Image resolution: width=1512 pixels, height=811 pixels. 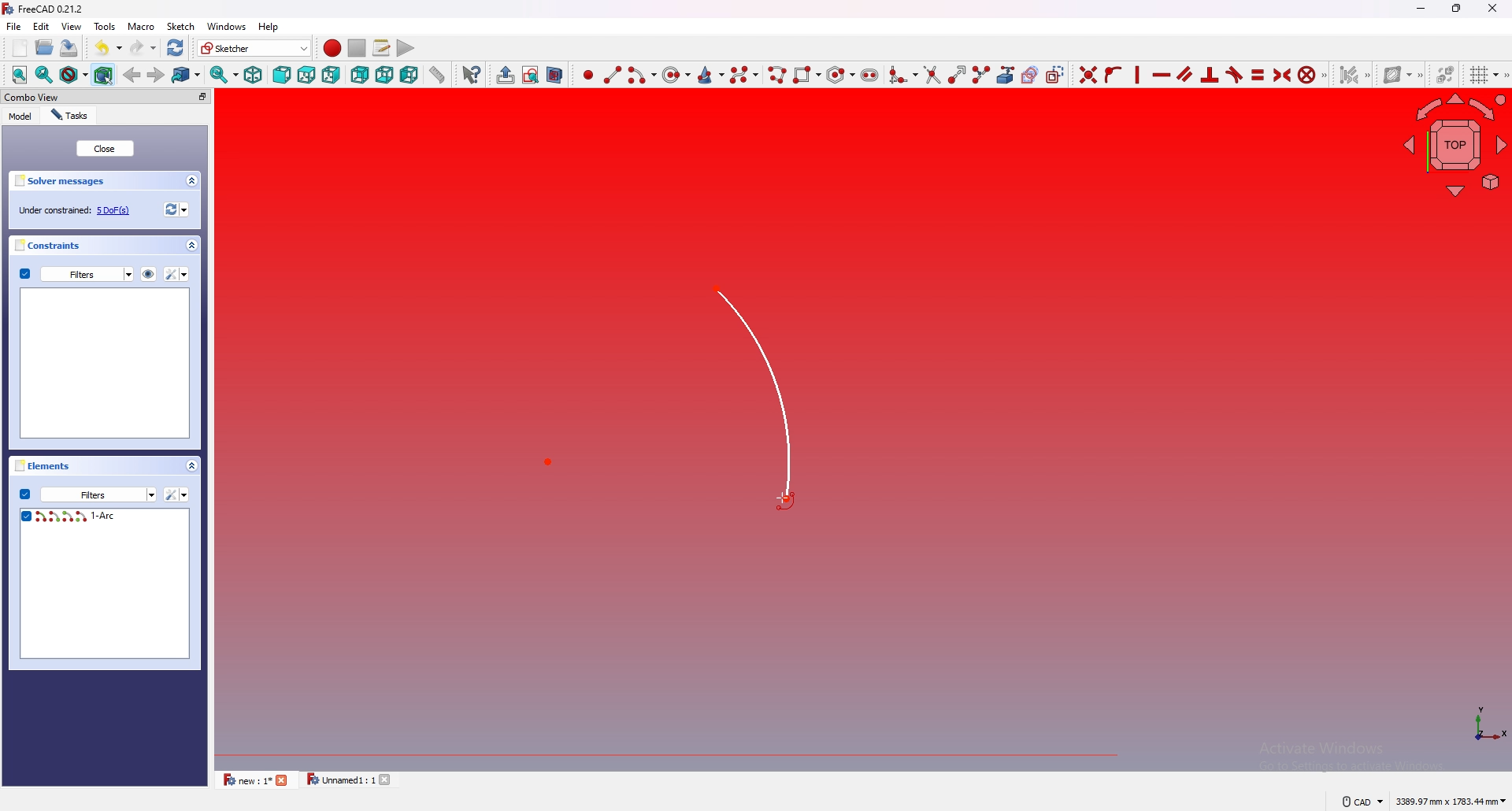 I want to click on tools, so click(x=105, y=26).